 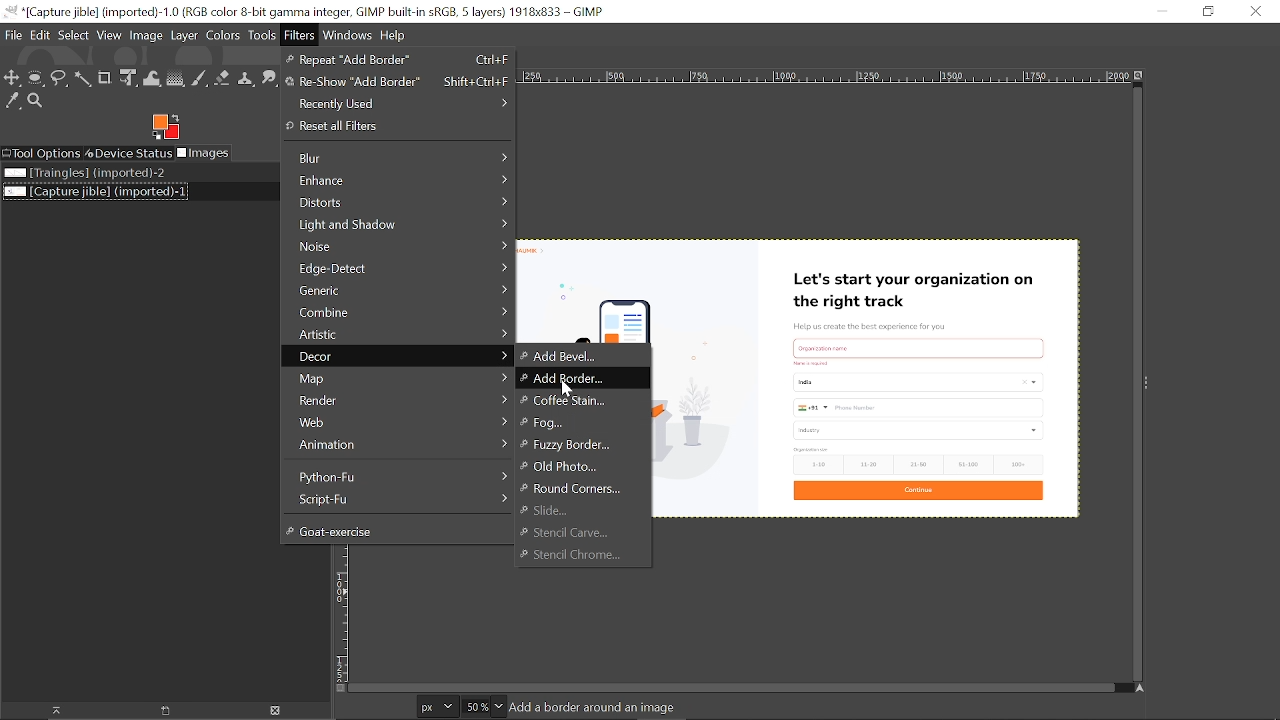 I want to click on Edge-defect, so click(x=399, y=270).